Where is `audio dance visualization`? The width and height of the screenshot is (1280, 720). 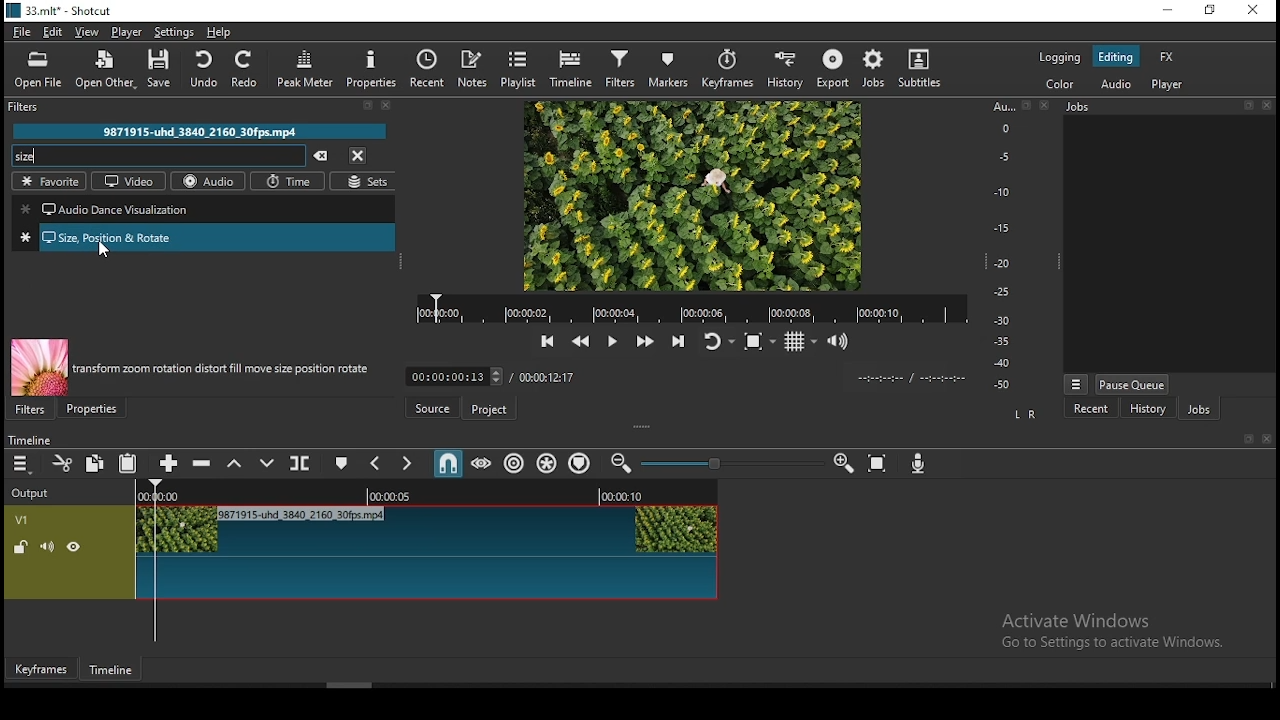
audio dance visualization is located at coordinates (202, 208).